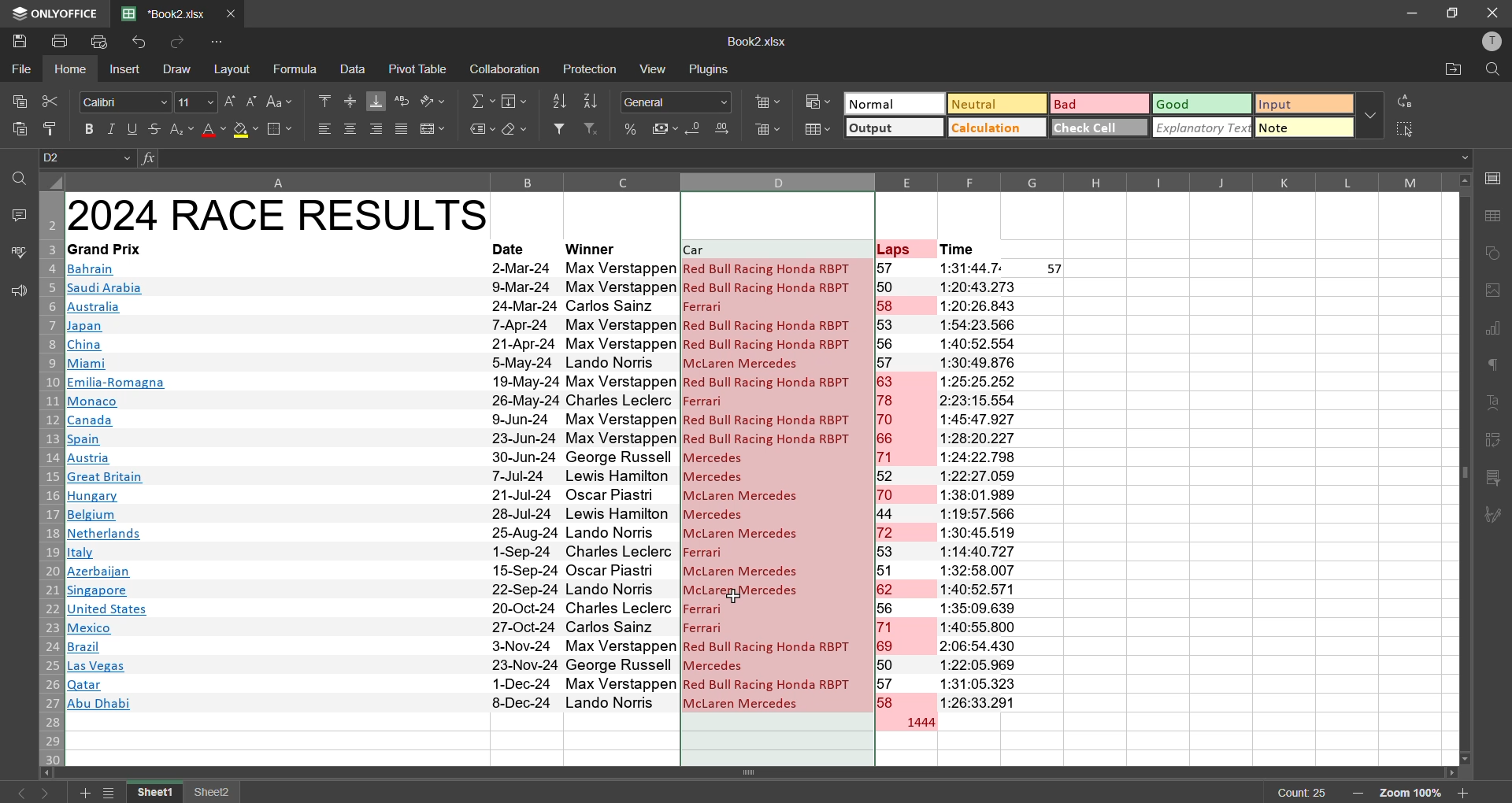 The width and height of the screenshot is (1512, 803). Describe the element at coordinates (153, 128) in the screenshot. I see `strikethrough` at that location.